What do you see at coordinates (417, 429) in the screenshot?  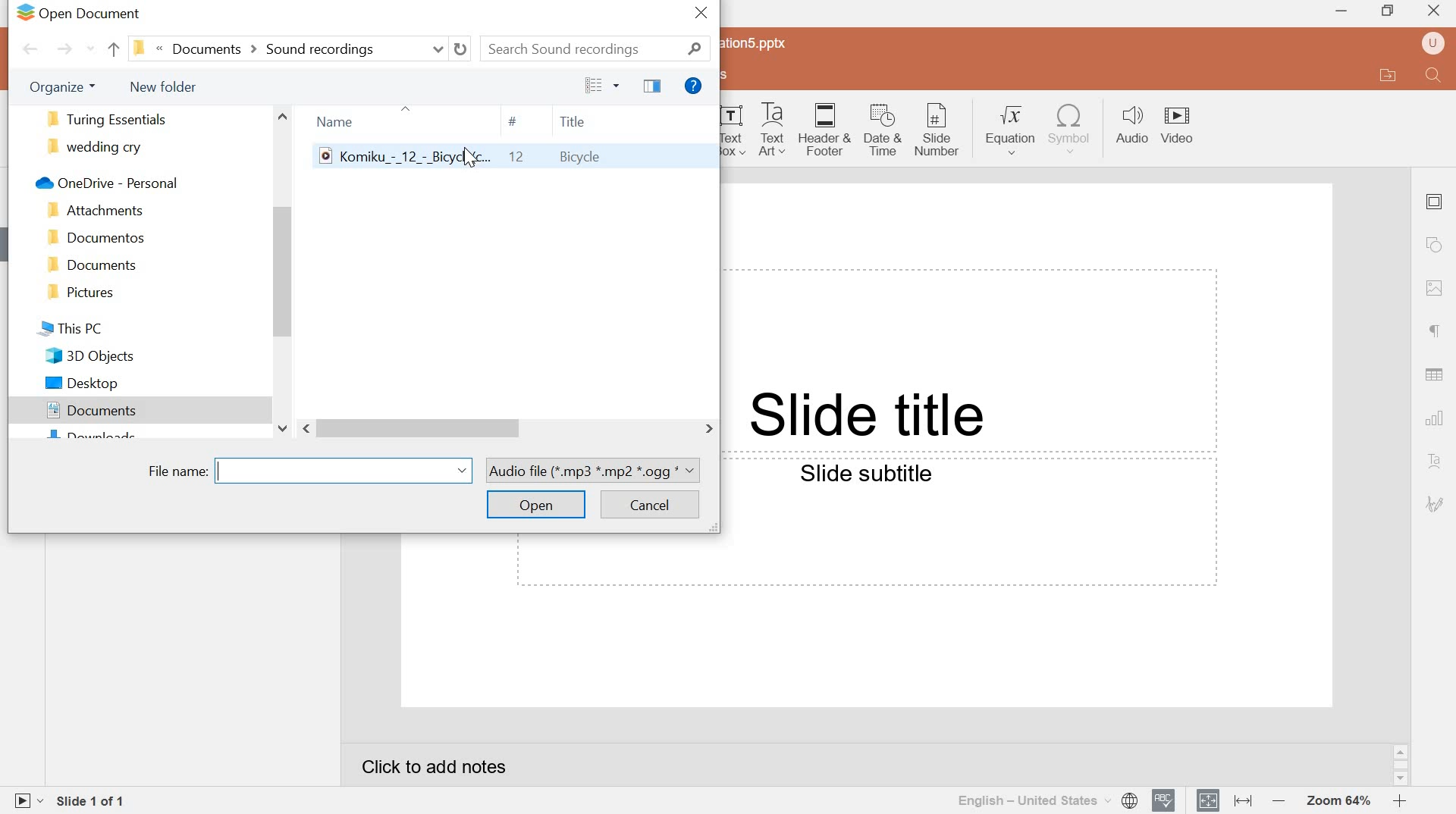 I see `scroll bar` at bounding box center [417, 429].